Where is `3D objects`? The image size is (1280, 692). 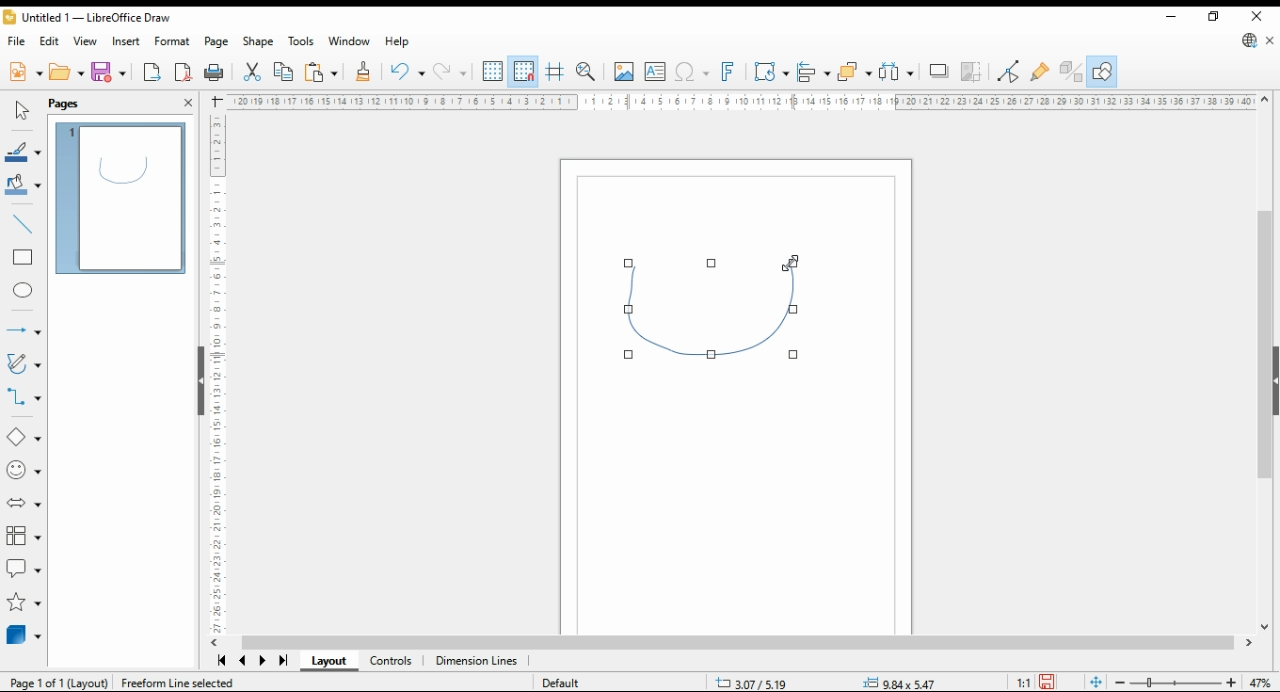 3D objects is located at coordinates (22, 635).